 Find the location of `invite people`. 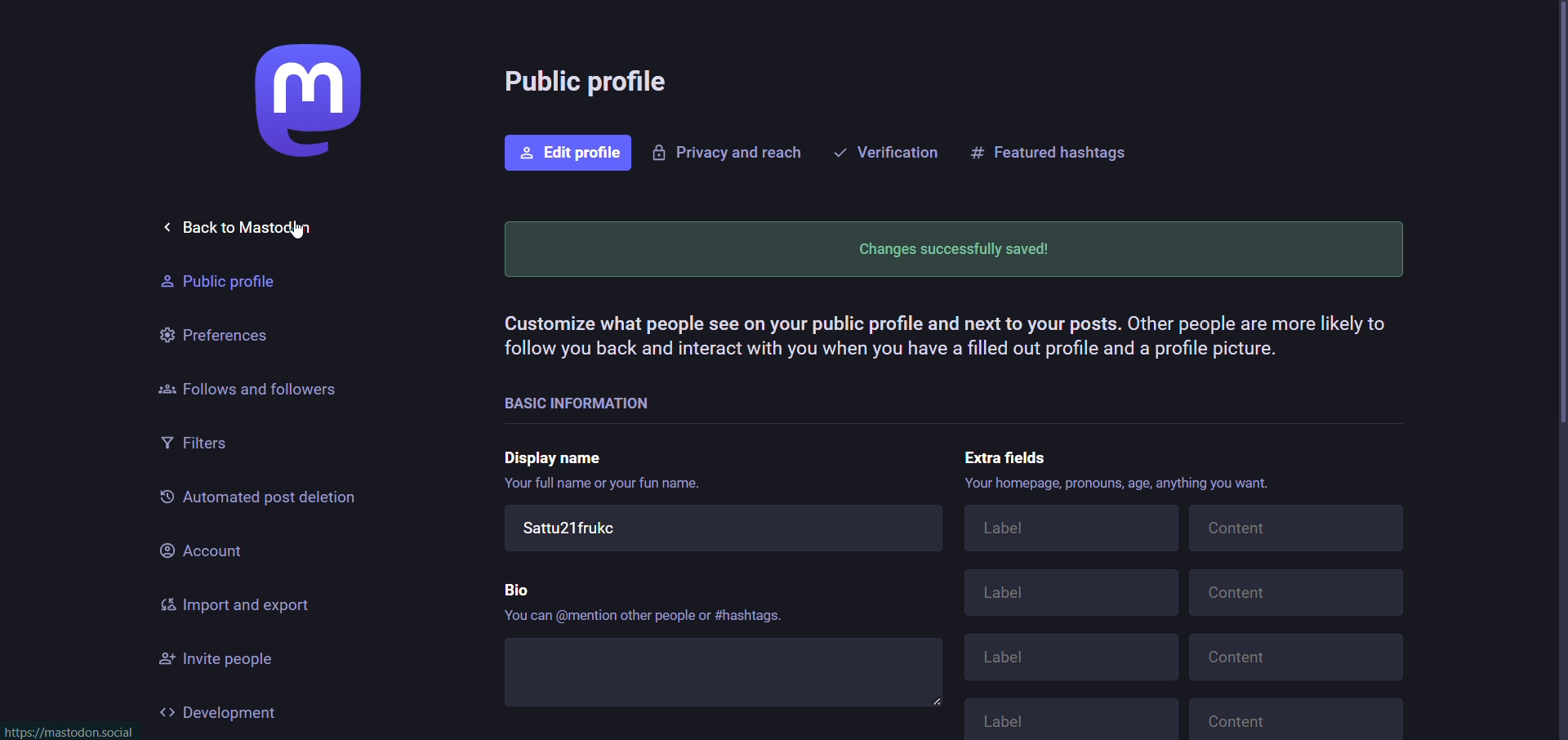

invite people is located at coordinates (227, 660).